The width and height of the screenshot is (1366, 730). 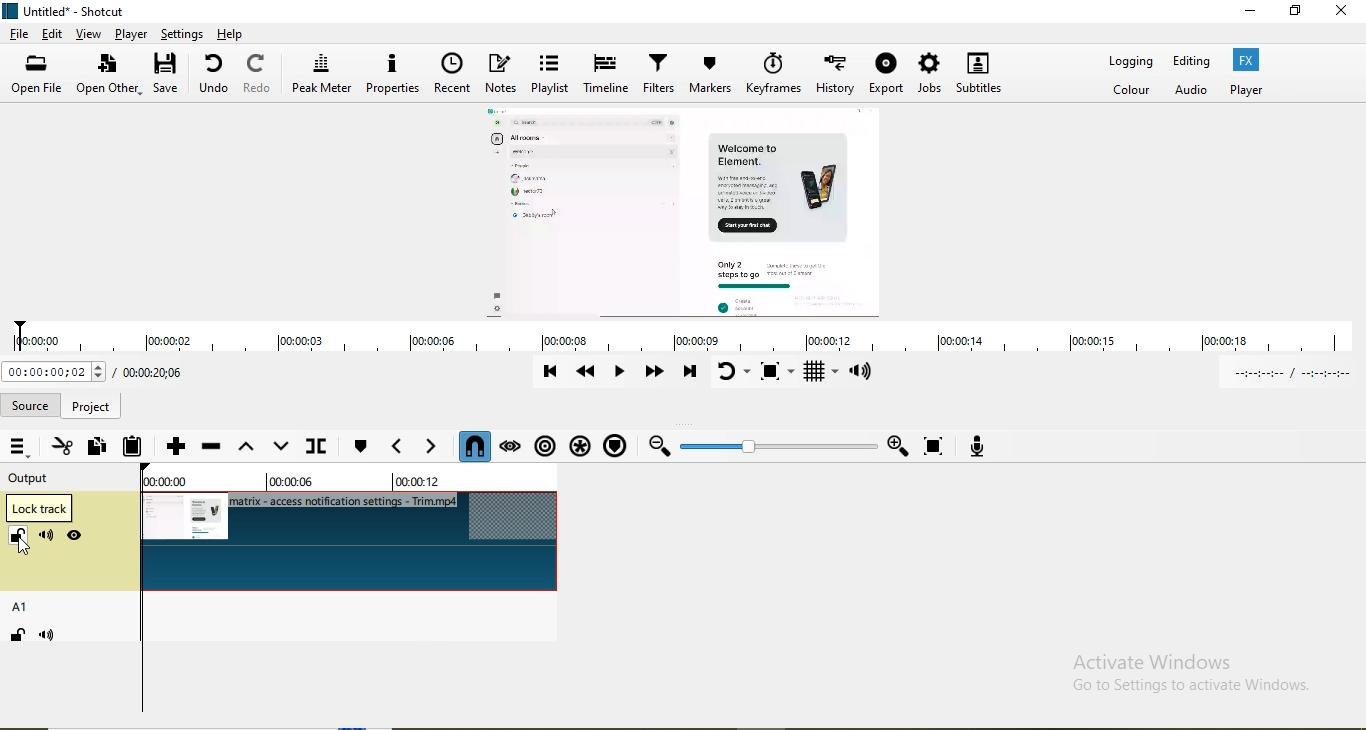 What do you see at coordinates (52, 637) in the screenshot?
I see `Mute` at bounding box center [52, 637].